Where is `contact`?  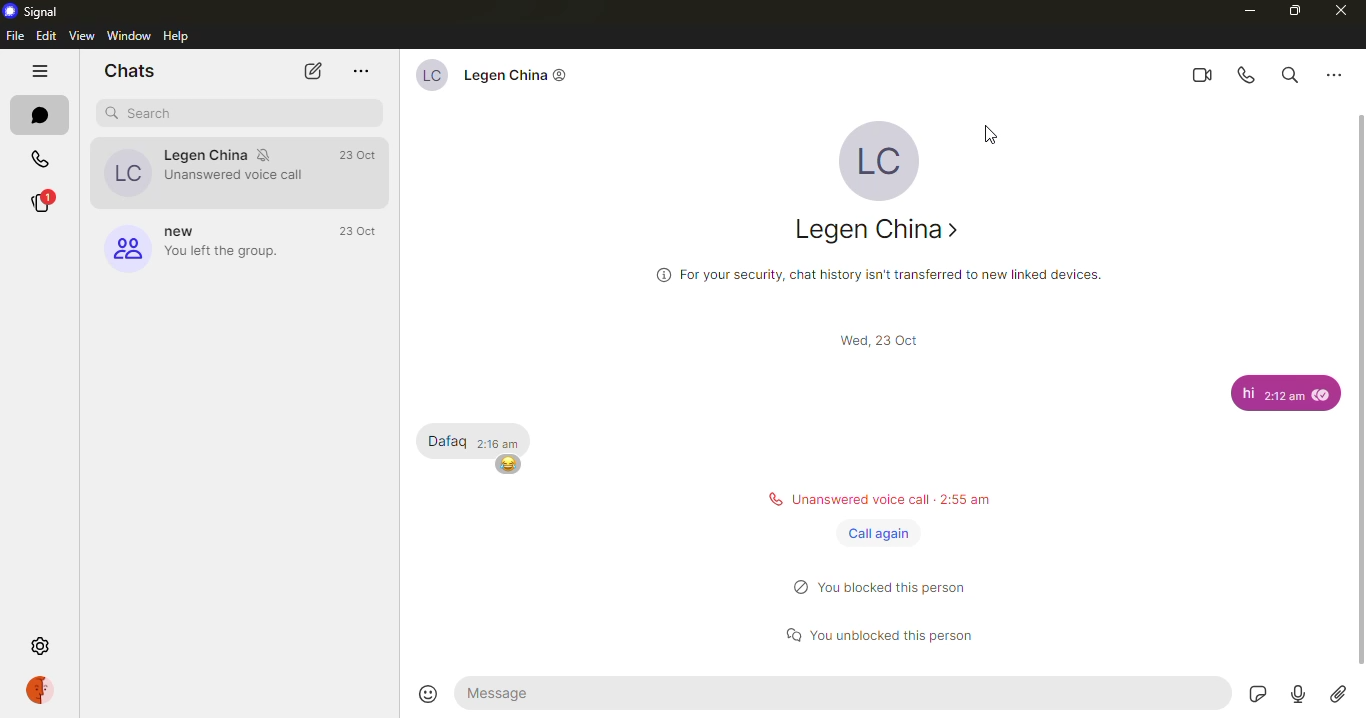 contact is located at coordinates (495, 79).